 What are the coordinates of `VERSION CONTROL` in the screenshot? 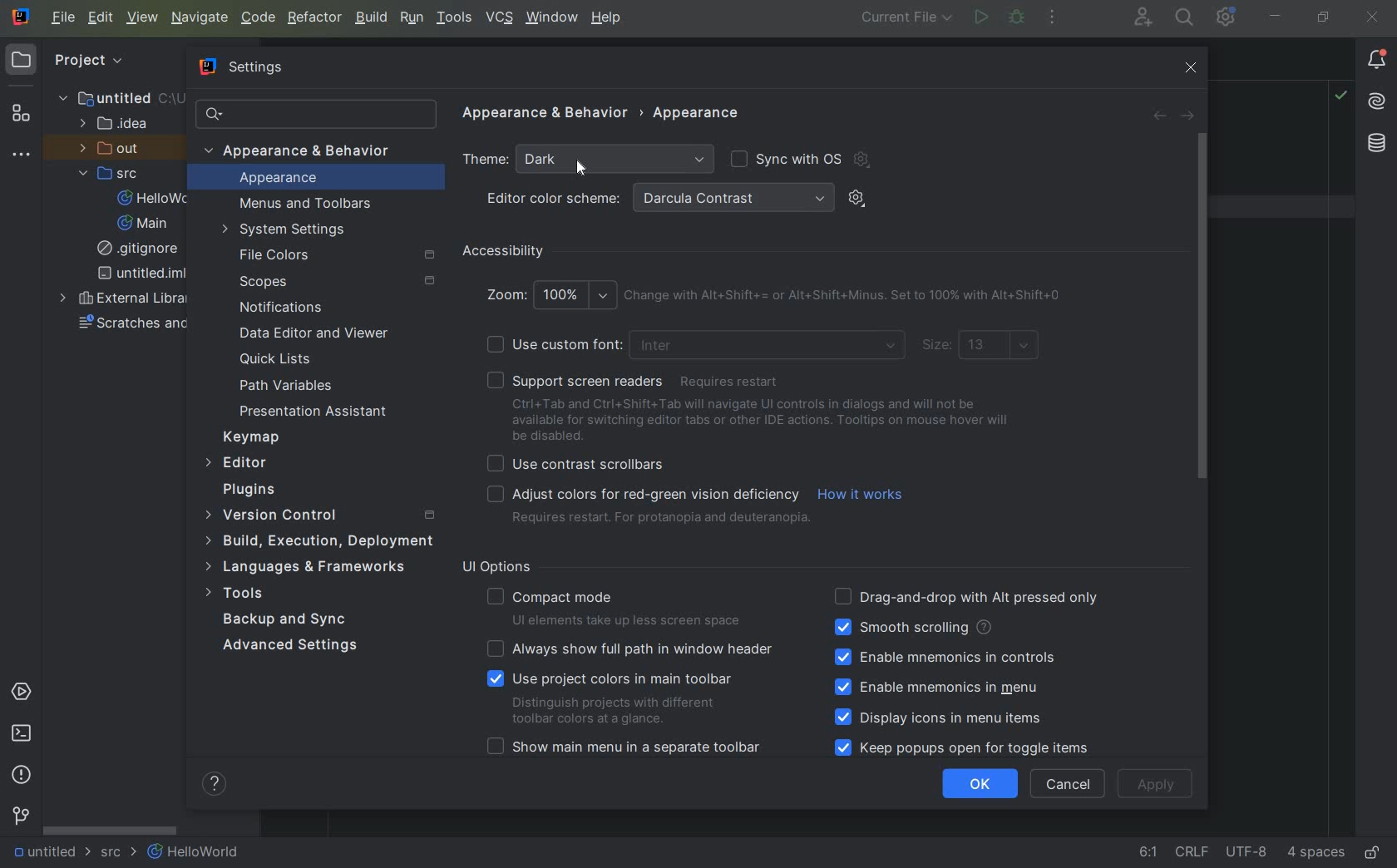 It's located at (20, 816).